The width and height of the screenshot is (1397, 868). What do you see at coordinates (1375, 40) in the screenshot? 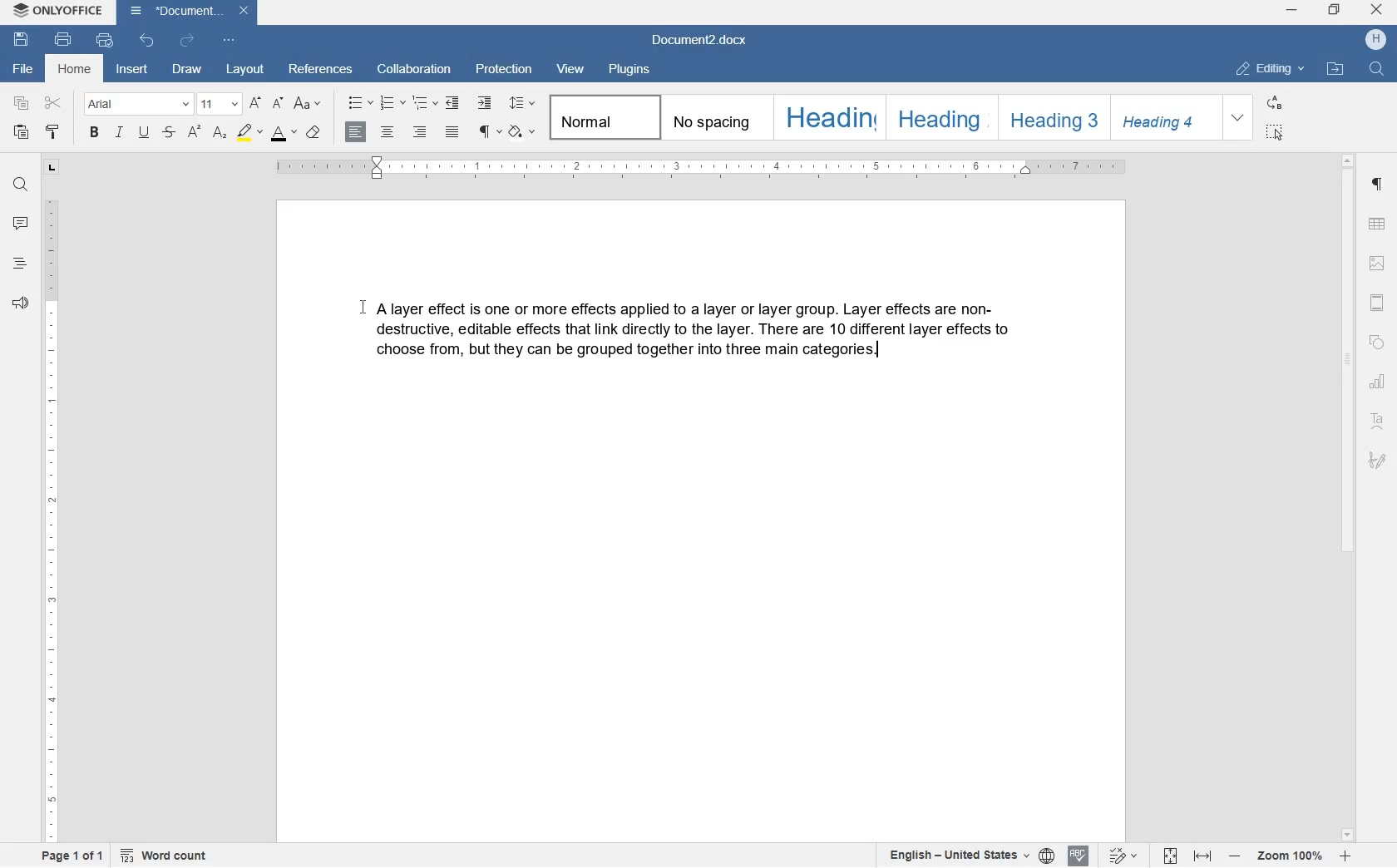
I see `hp` at bounding box center [1375, 40].